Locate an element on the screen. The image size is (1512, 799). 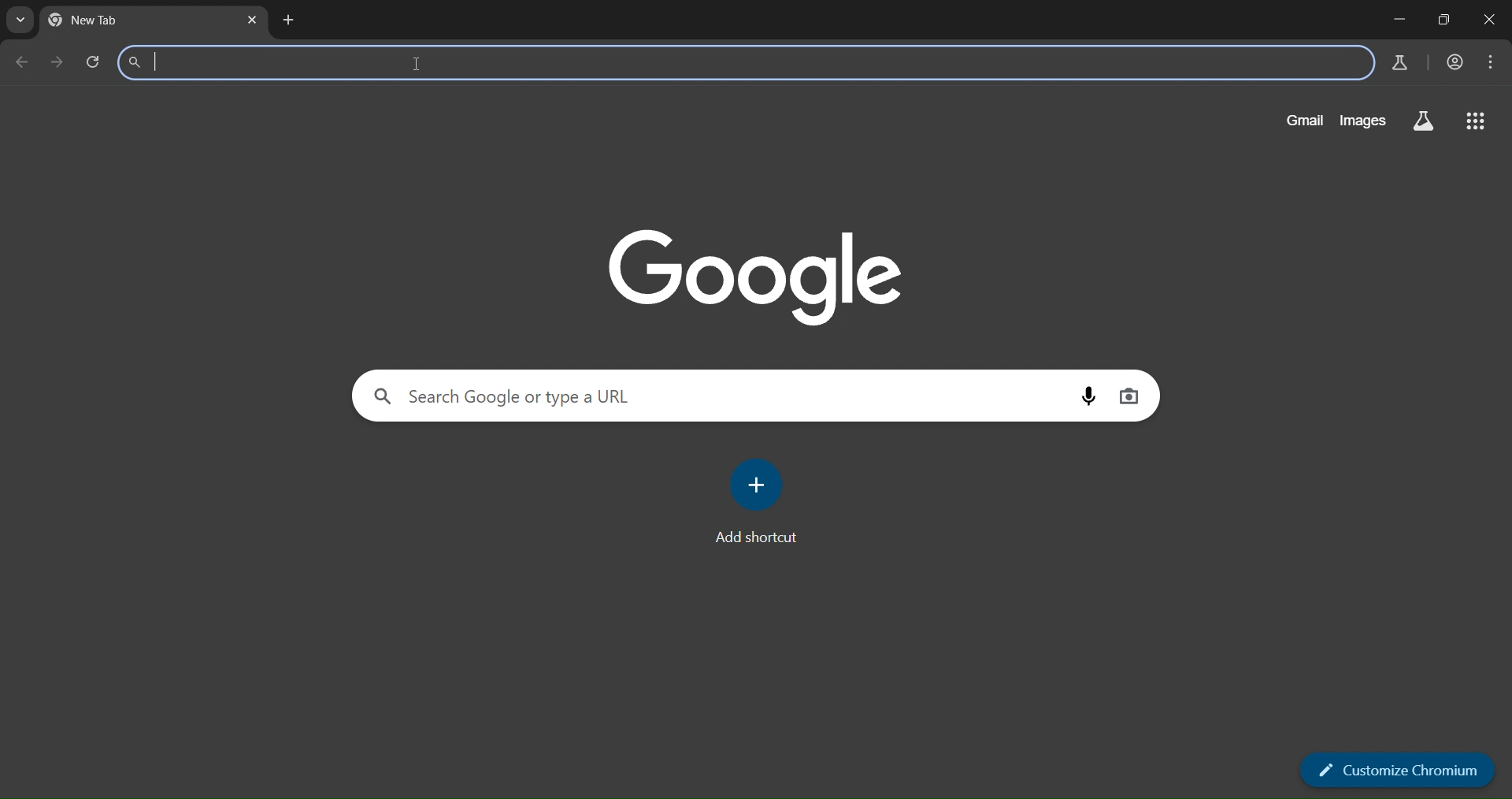
search tab is located at coordinates (20, 21).